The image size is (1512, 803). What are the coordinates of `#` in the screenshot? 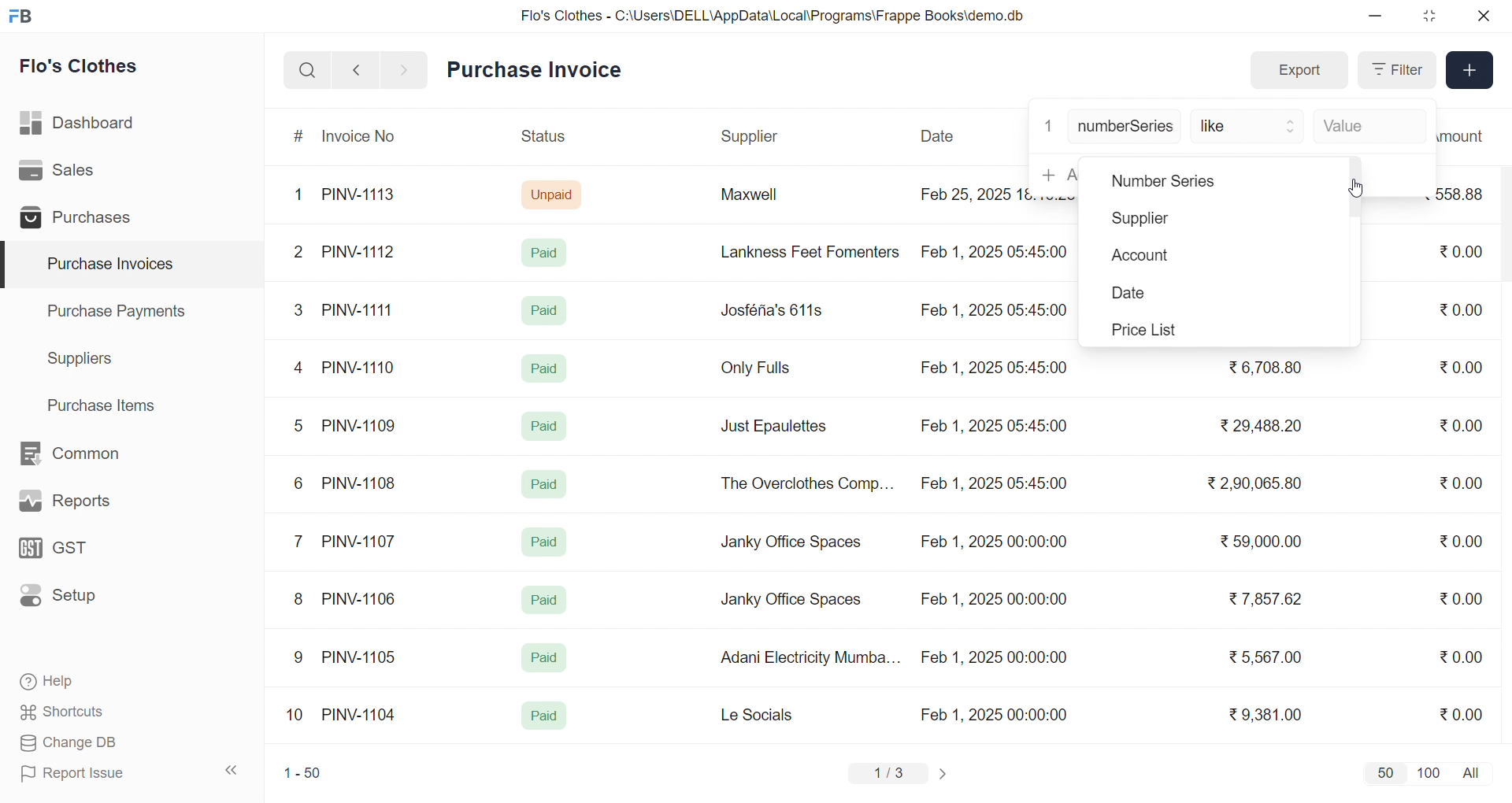 It's located at (299, 138).